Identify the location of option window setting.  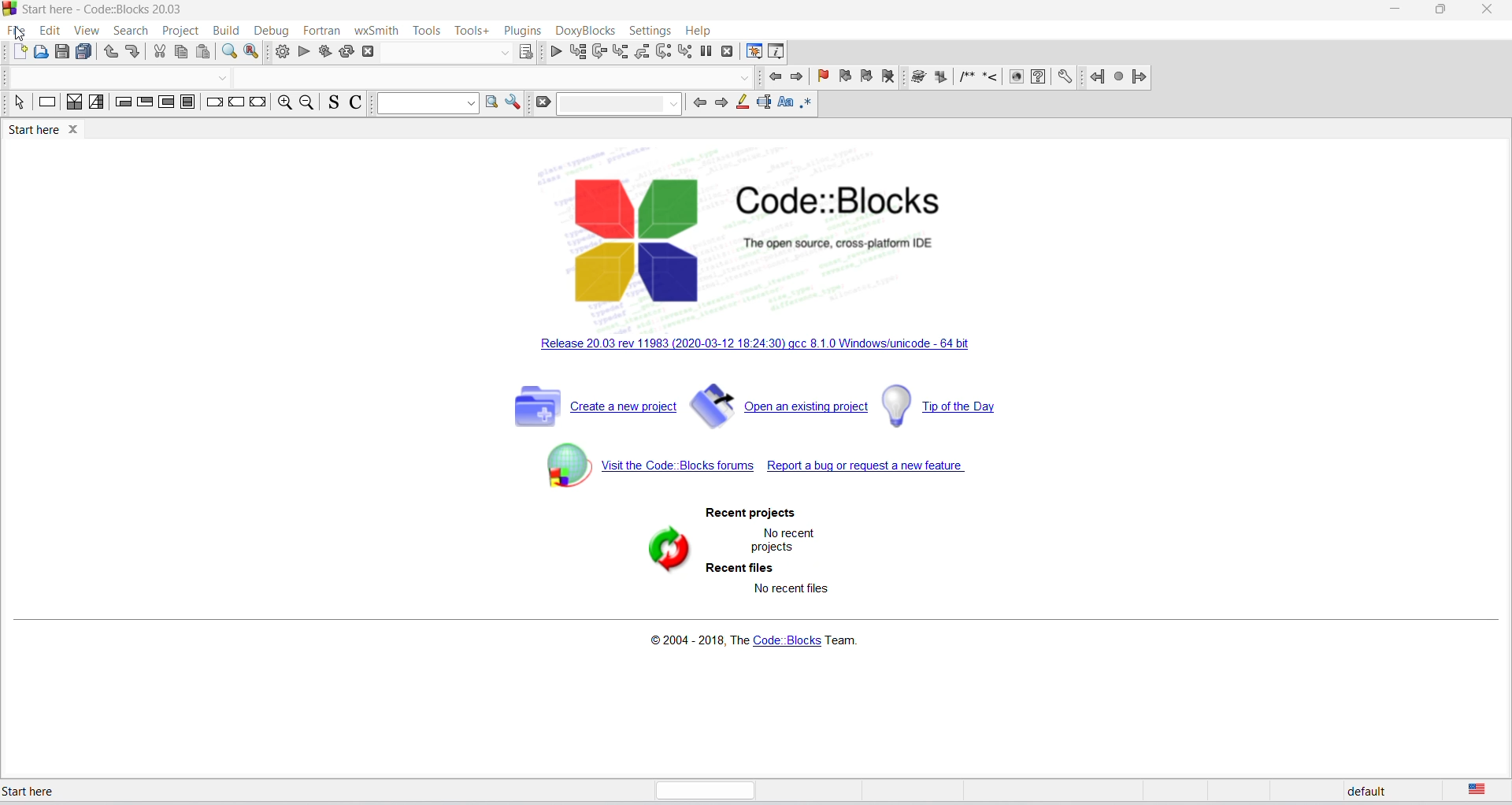
(513, 103).